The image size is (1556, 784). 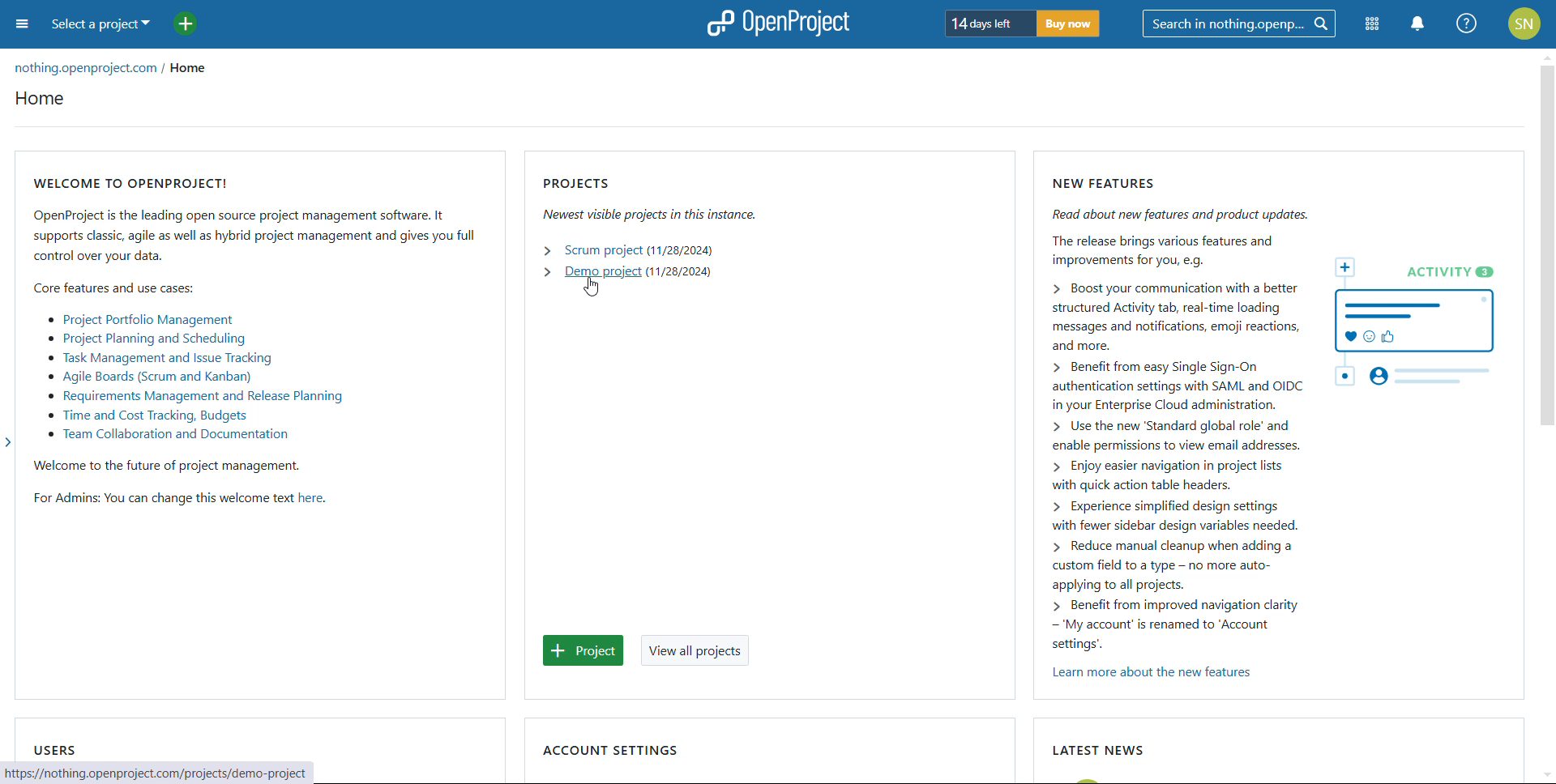 I want to click on select a project, so click(x=101, y=26).